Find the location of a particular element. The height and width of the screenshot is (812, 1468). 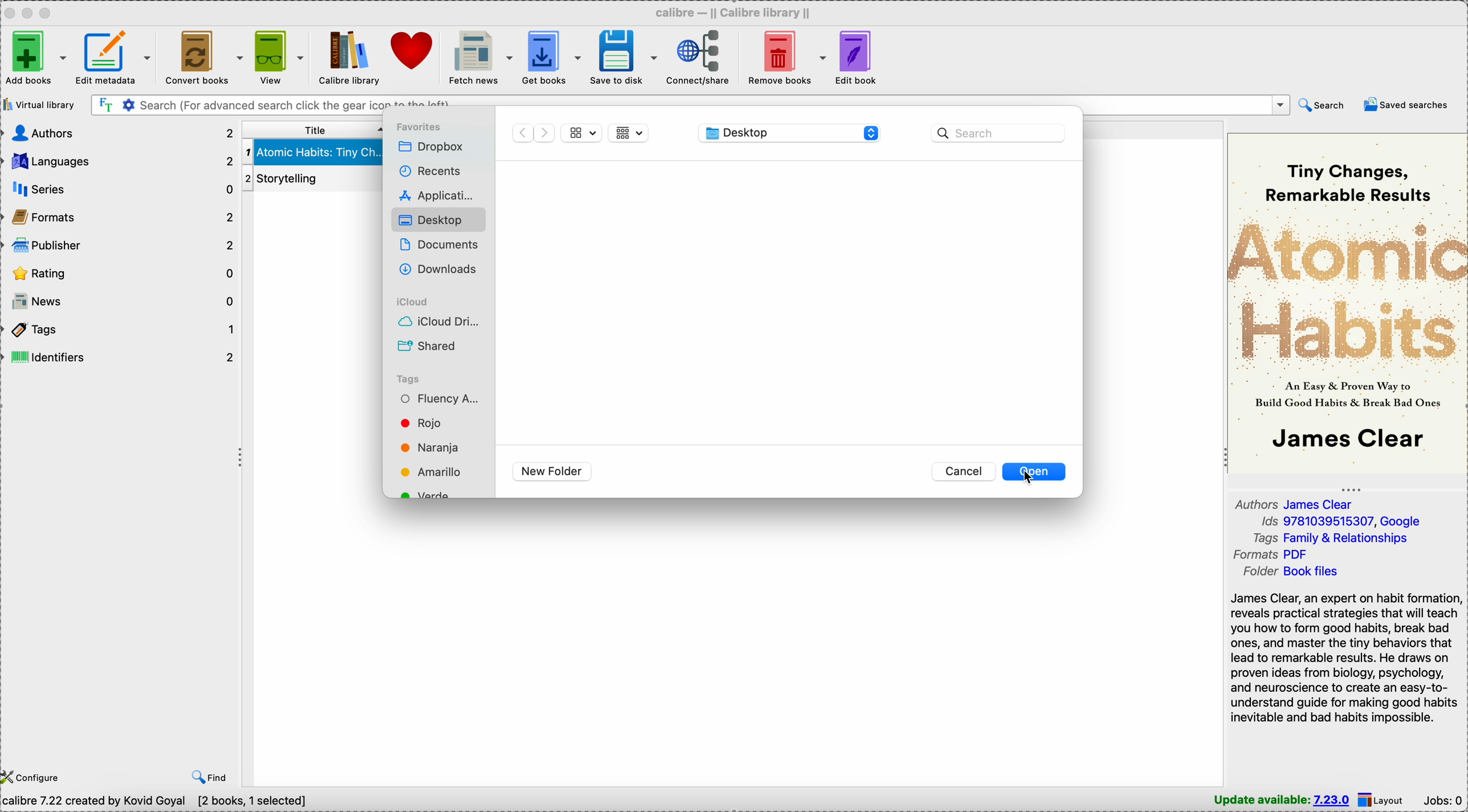

iCloud is located at coordinates (414, 302).